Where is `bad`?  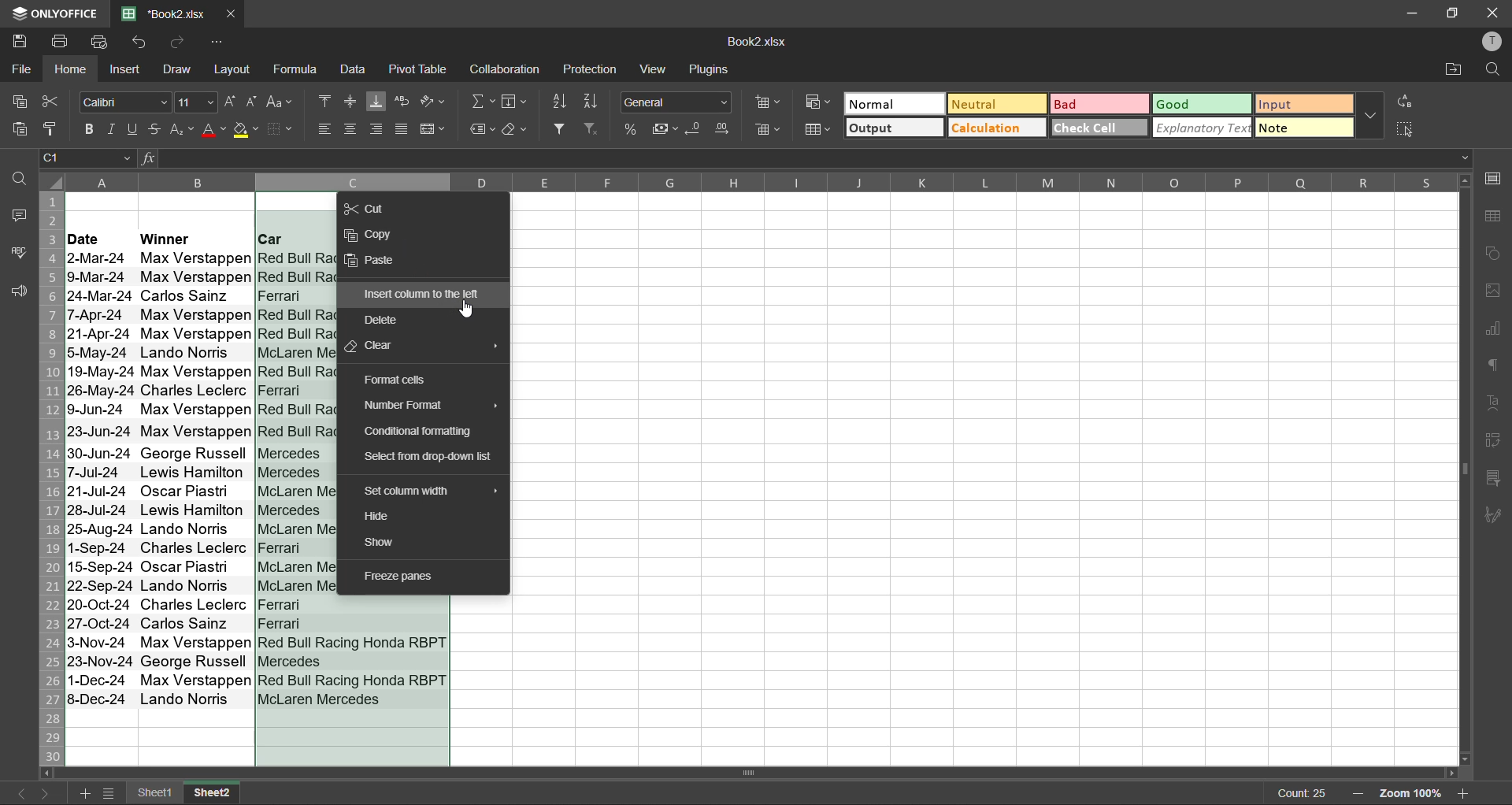 bad is located at coordinates (1099, 106).